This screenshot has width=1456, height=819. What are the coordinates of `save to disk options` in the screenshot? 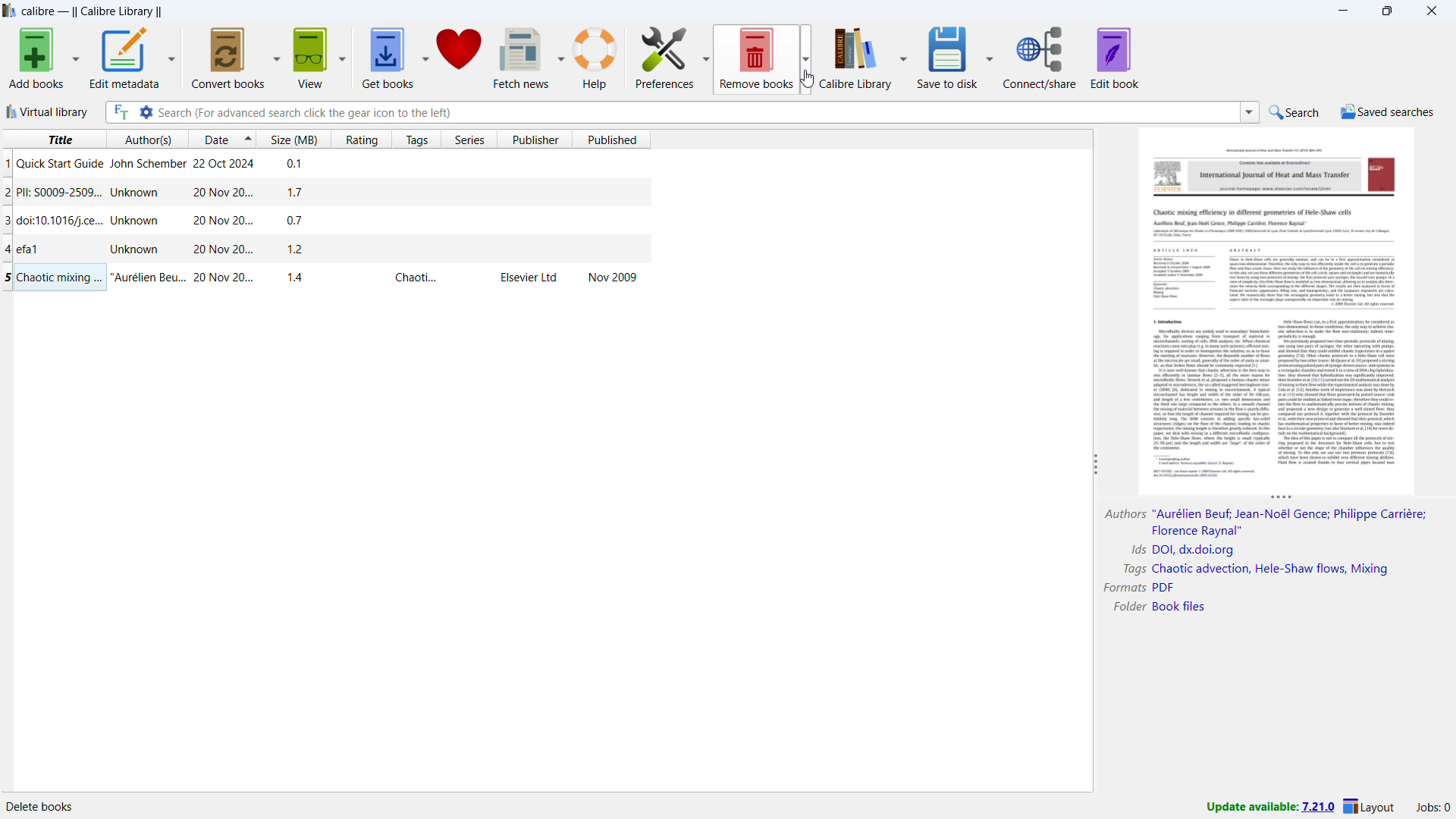 It's located at (990, 55).